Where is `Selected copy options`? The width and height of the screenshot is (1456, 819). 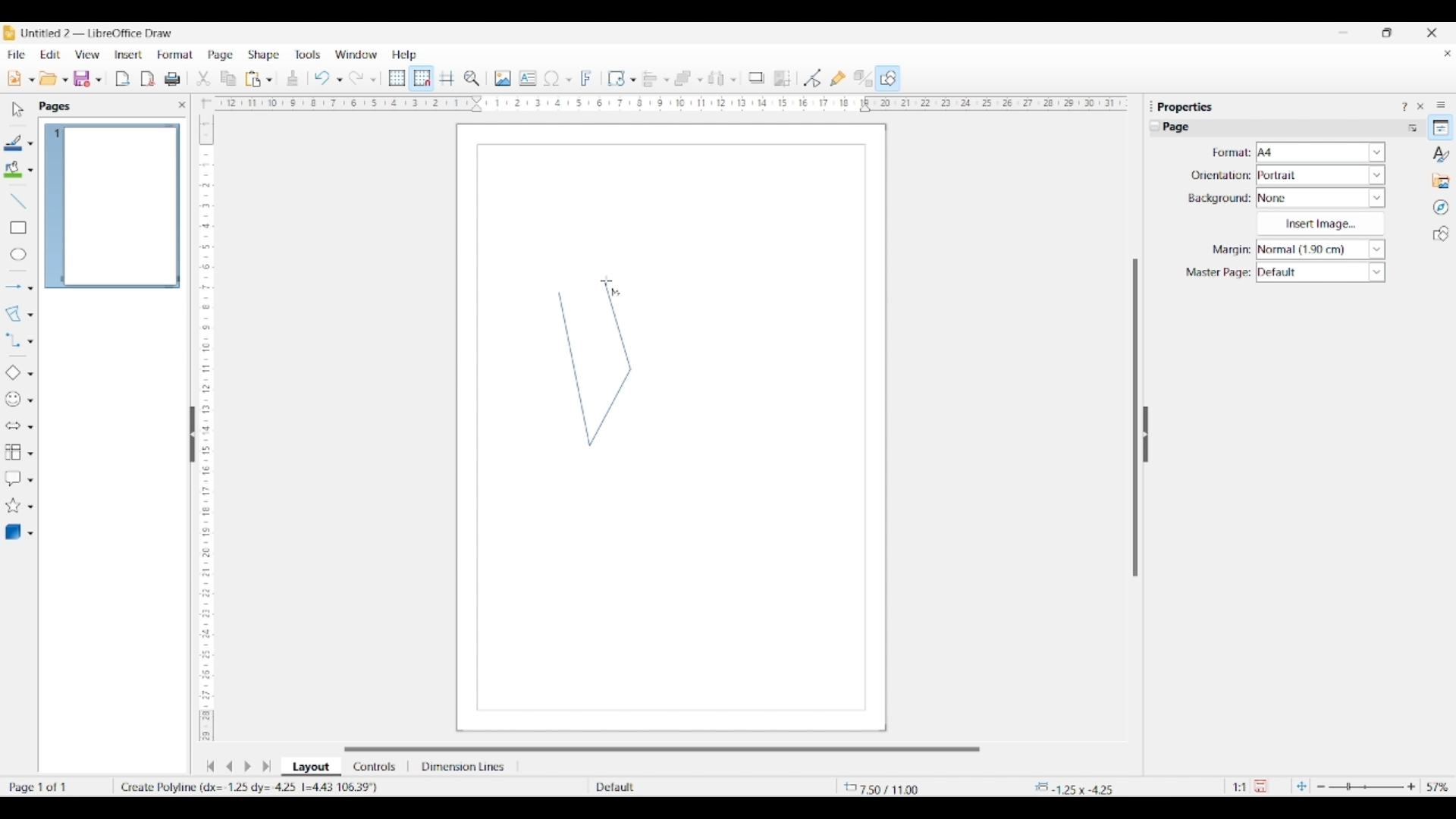
Selected copy options is located at coordinates (228, 79).